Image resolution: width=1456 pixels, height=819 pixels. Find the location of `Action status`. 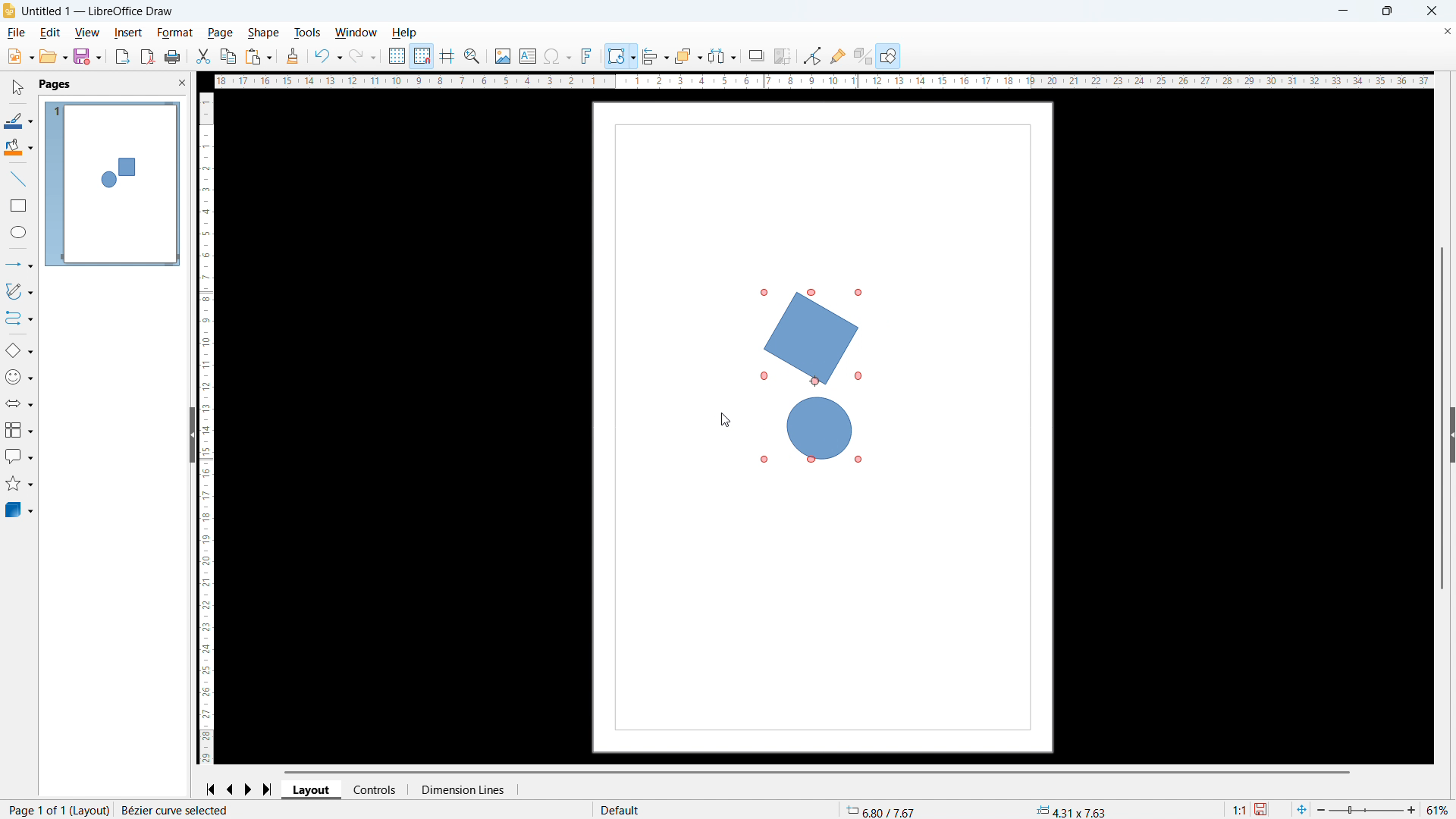

Action status is located at coordinates (190, 810).